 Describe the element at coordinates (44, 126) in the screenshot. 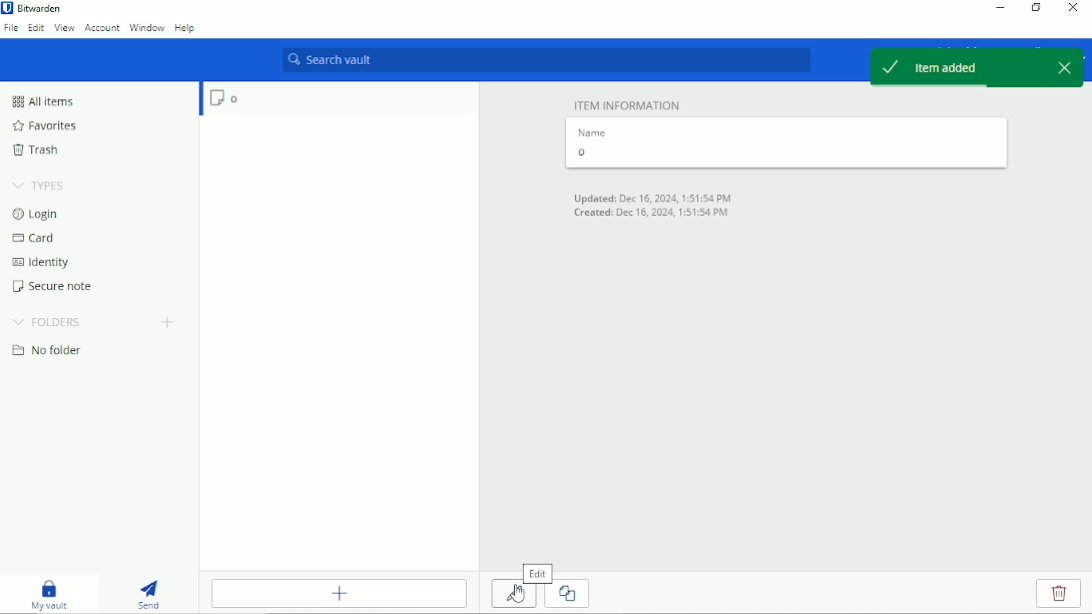

I see `Favorites` at that location.